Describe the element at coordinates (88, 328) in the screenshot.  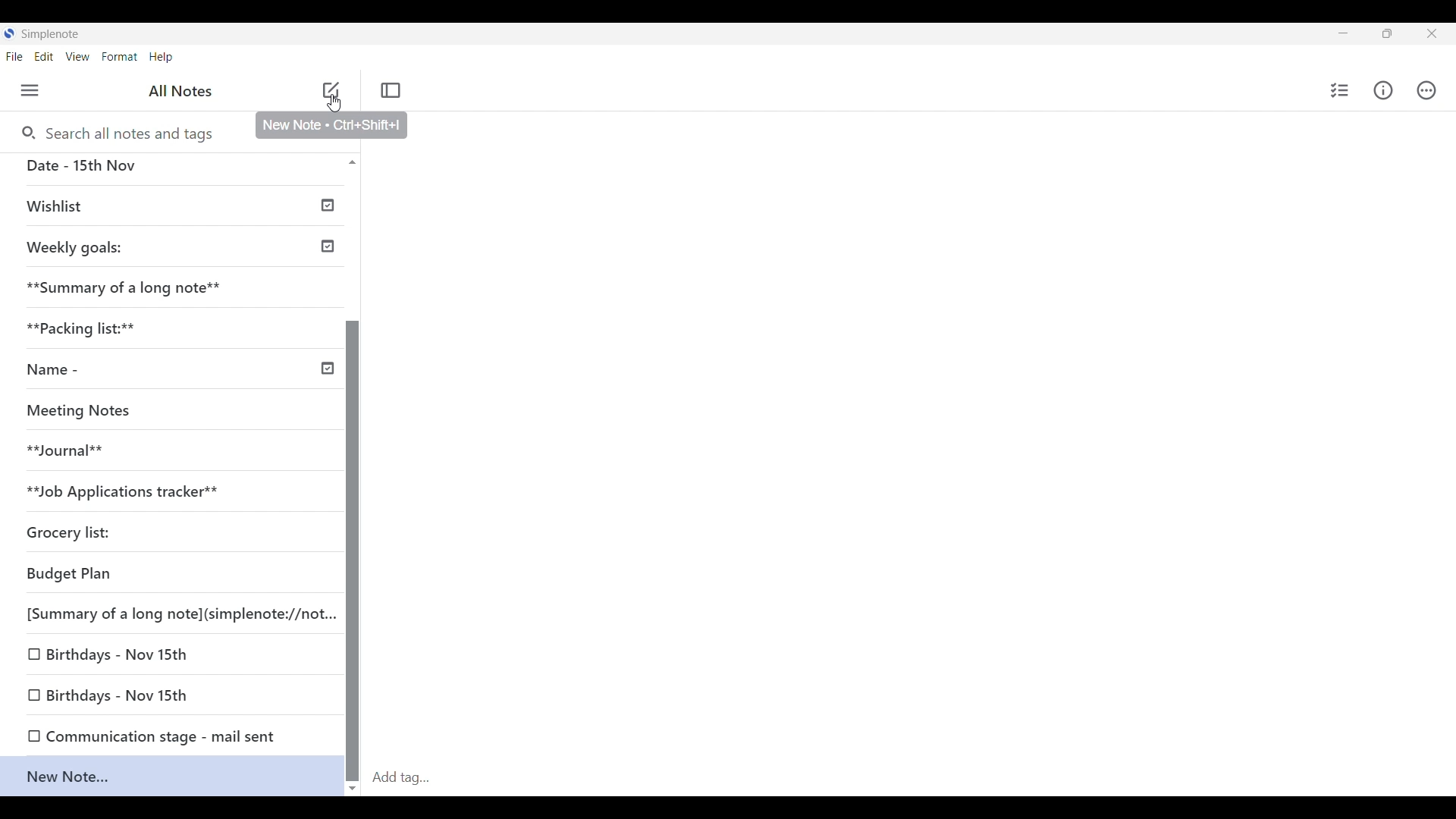
I see `*%
Packi
acking list:**` at that location.